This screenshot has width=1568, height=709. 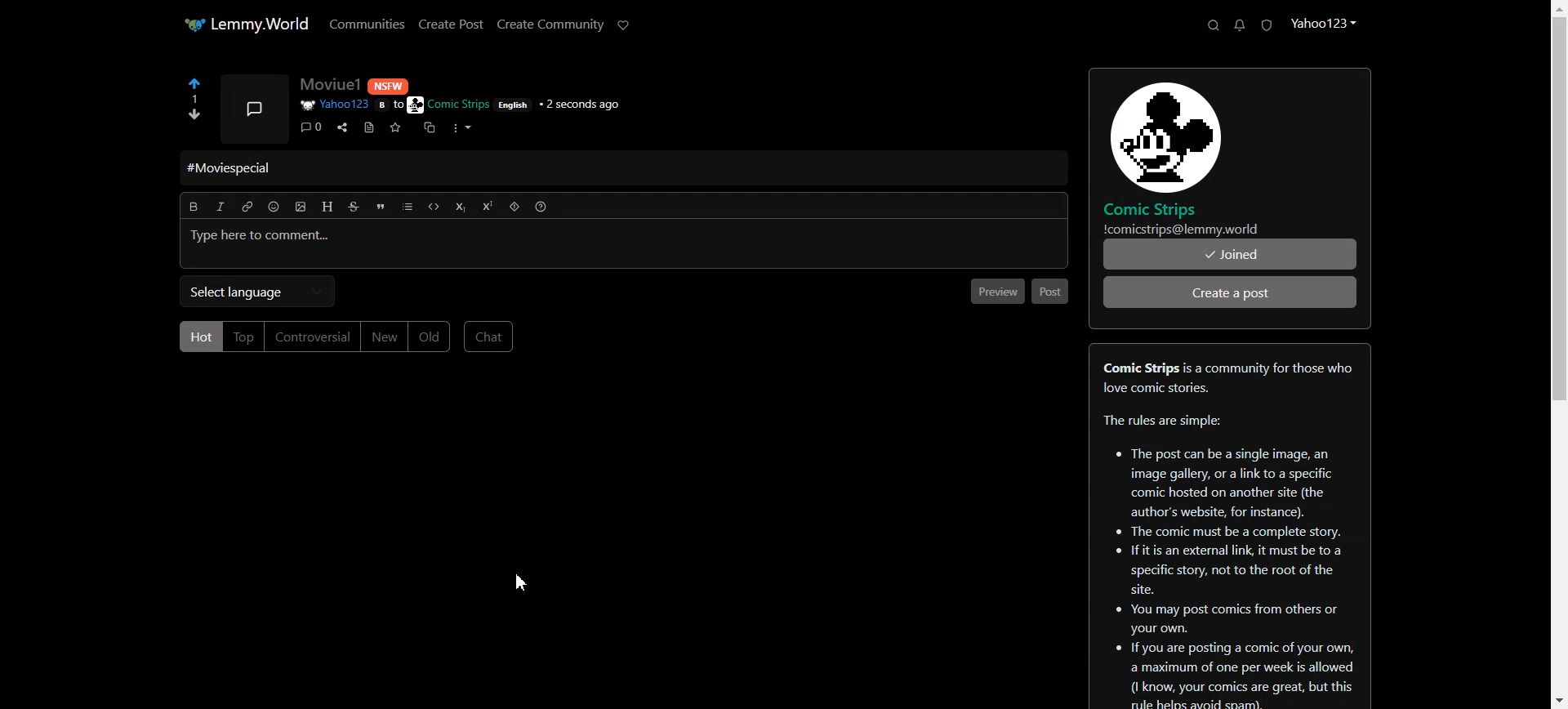 What do you see at coordinates (1229, 255) in the screenshot?
I see `Joined` at bounding box center [1229, 255].